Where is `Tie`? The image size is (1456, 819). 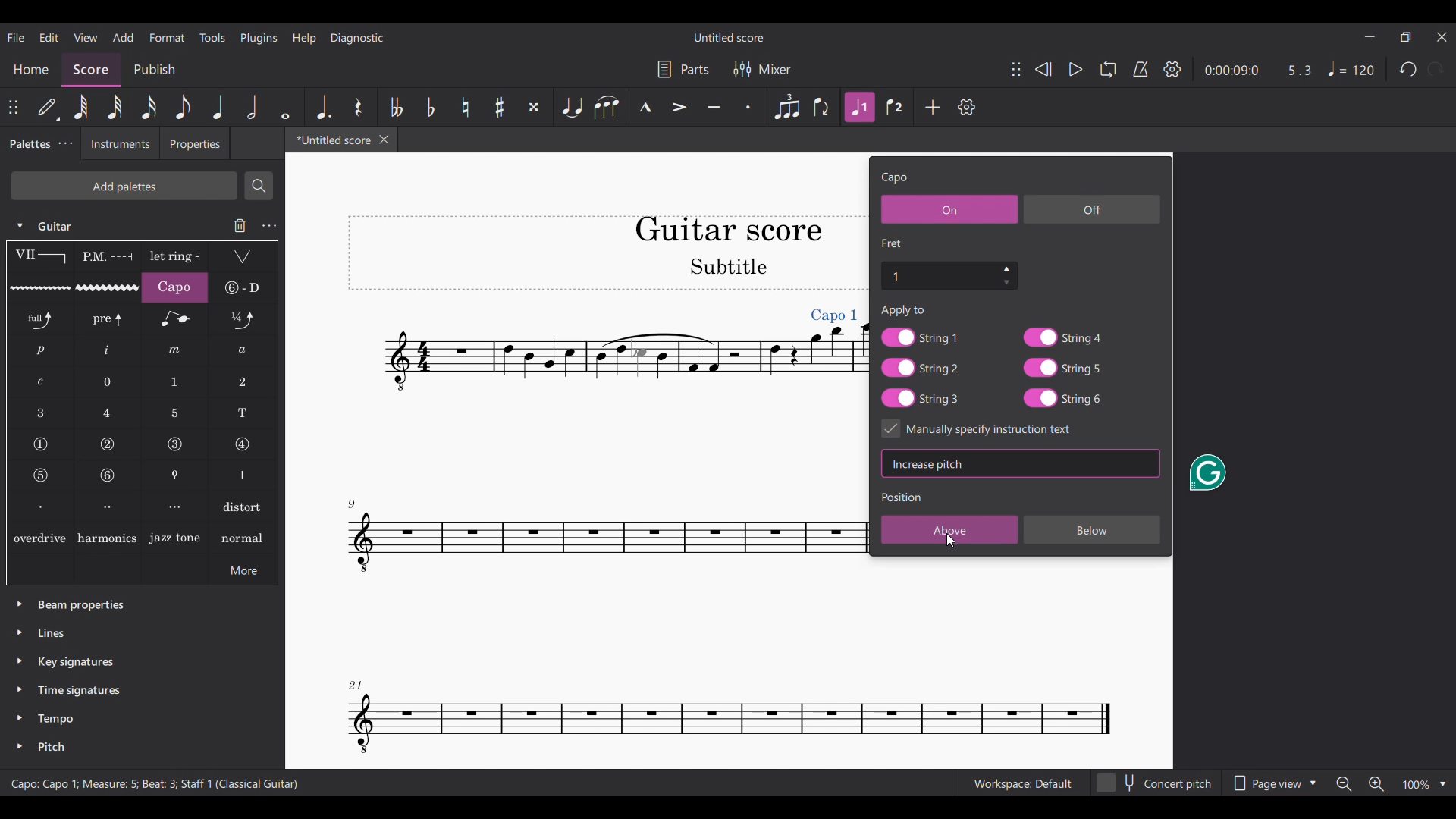 Tie is located at coordinates (570, 107).